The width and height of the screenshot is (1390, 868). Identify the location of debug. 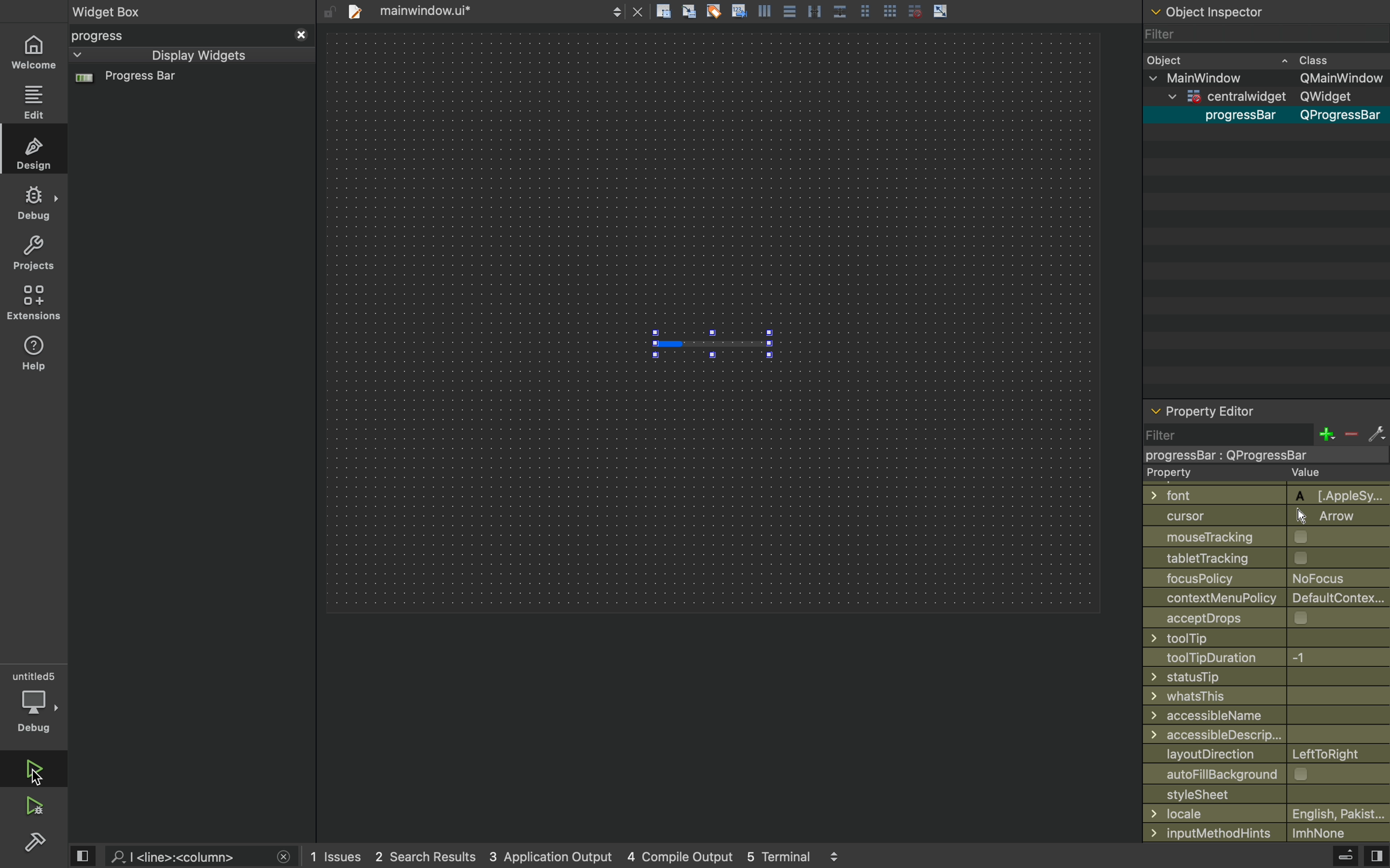
(35, 202).